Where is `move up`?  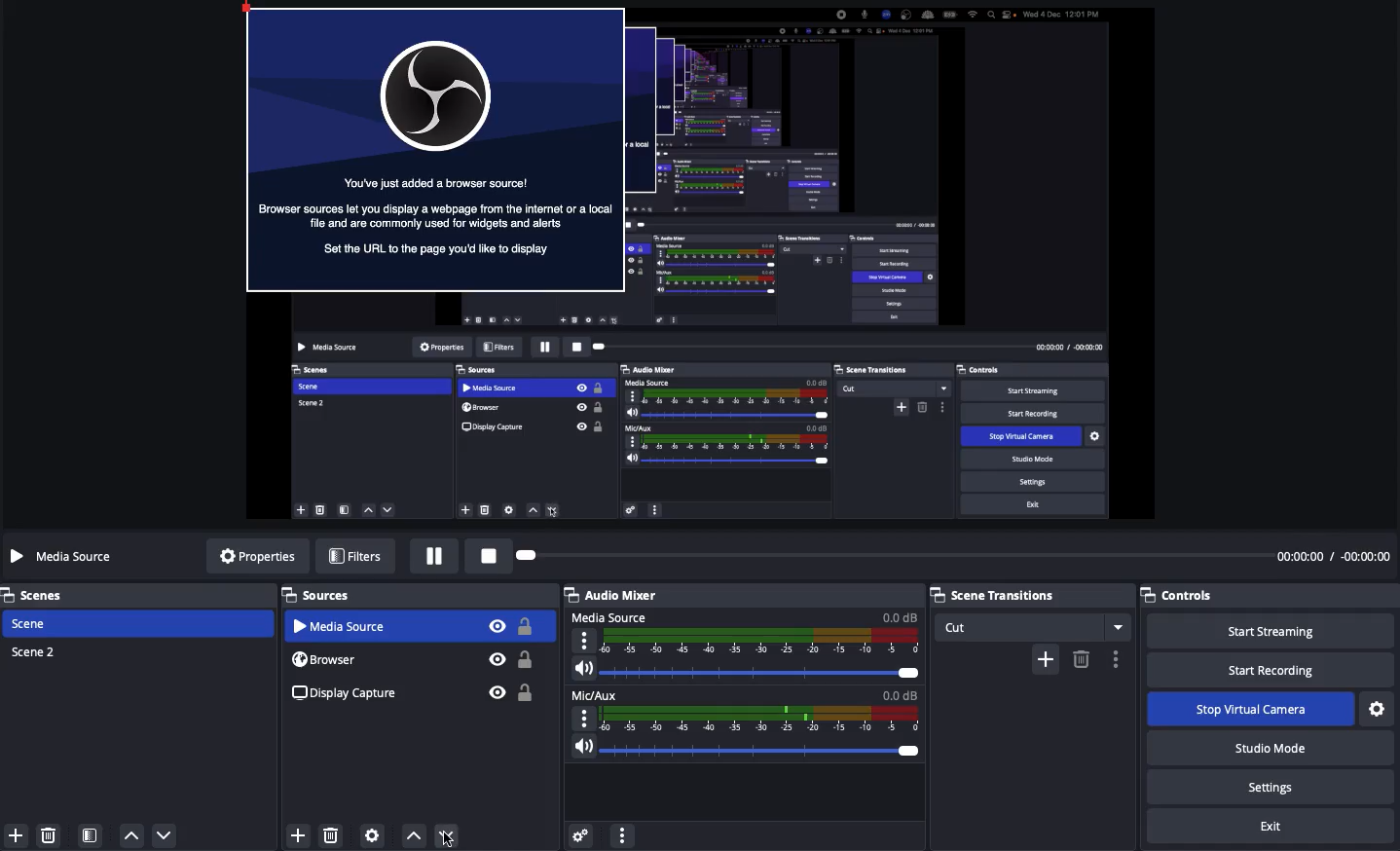 move up is located at coordinates (133, 832).